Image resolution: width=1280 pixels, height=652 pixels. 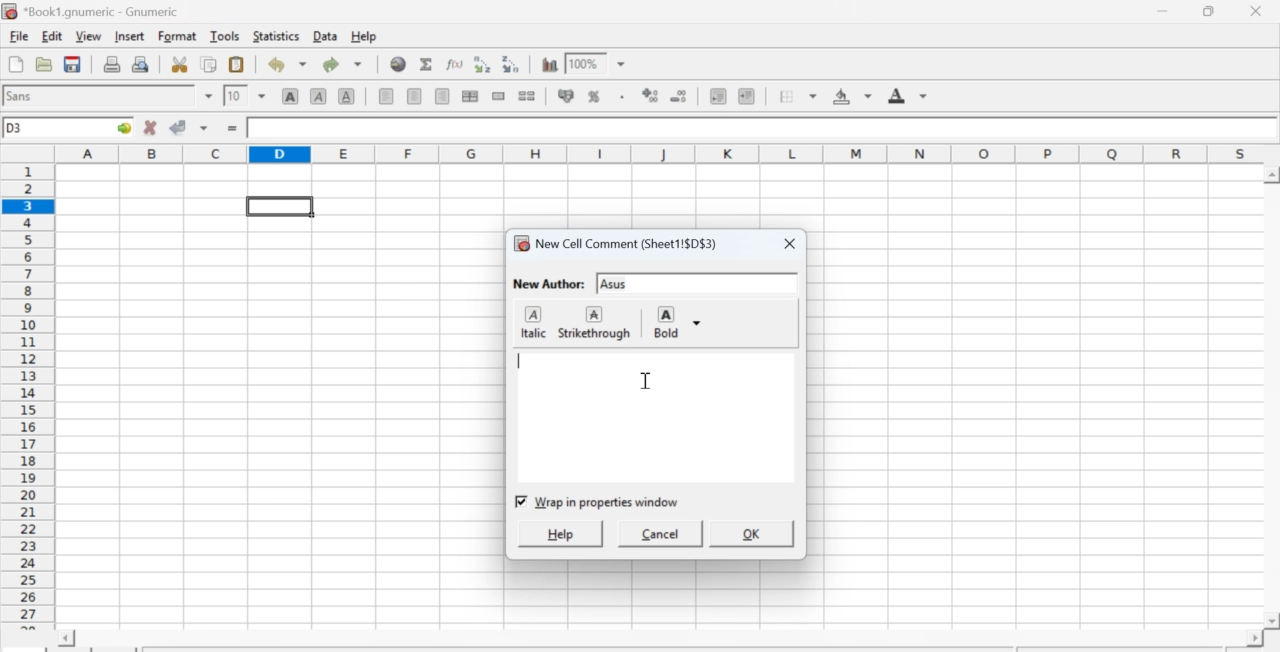 What do you see at coordinates (566, 95) in the screenshot?
I see `Format the selection as accounting` at bounding box center [566, 95].